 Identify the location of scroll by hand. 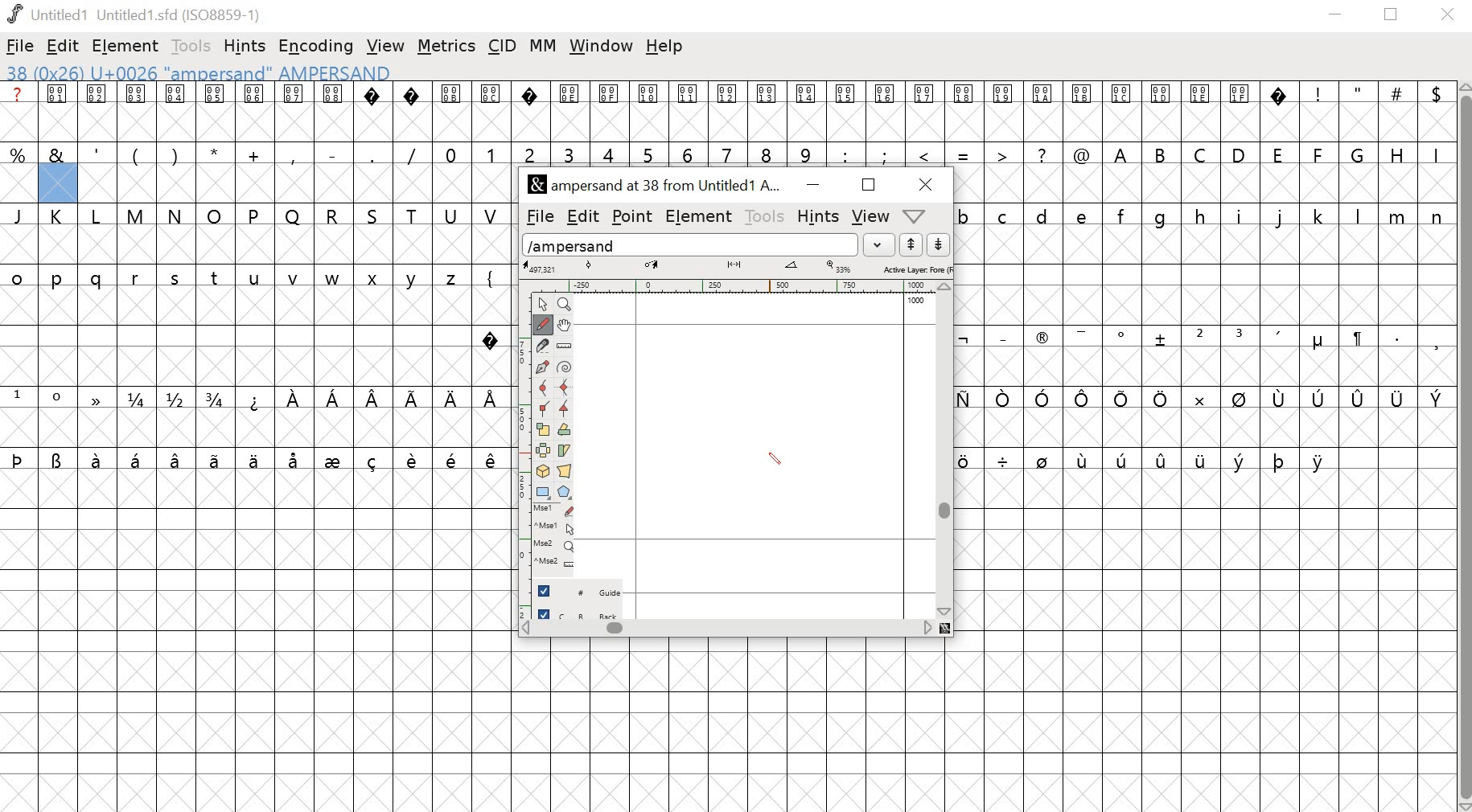
(566, 324).